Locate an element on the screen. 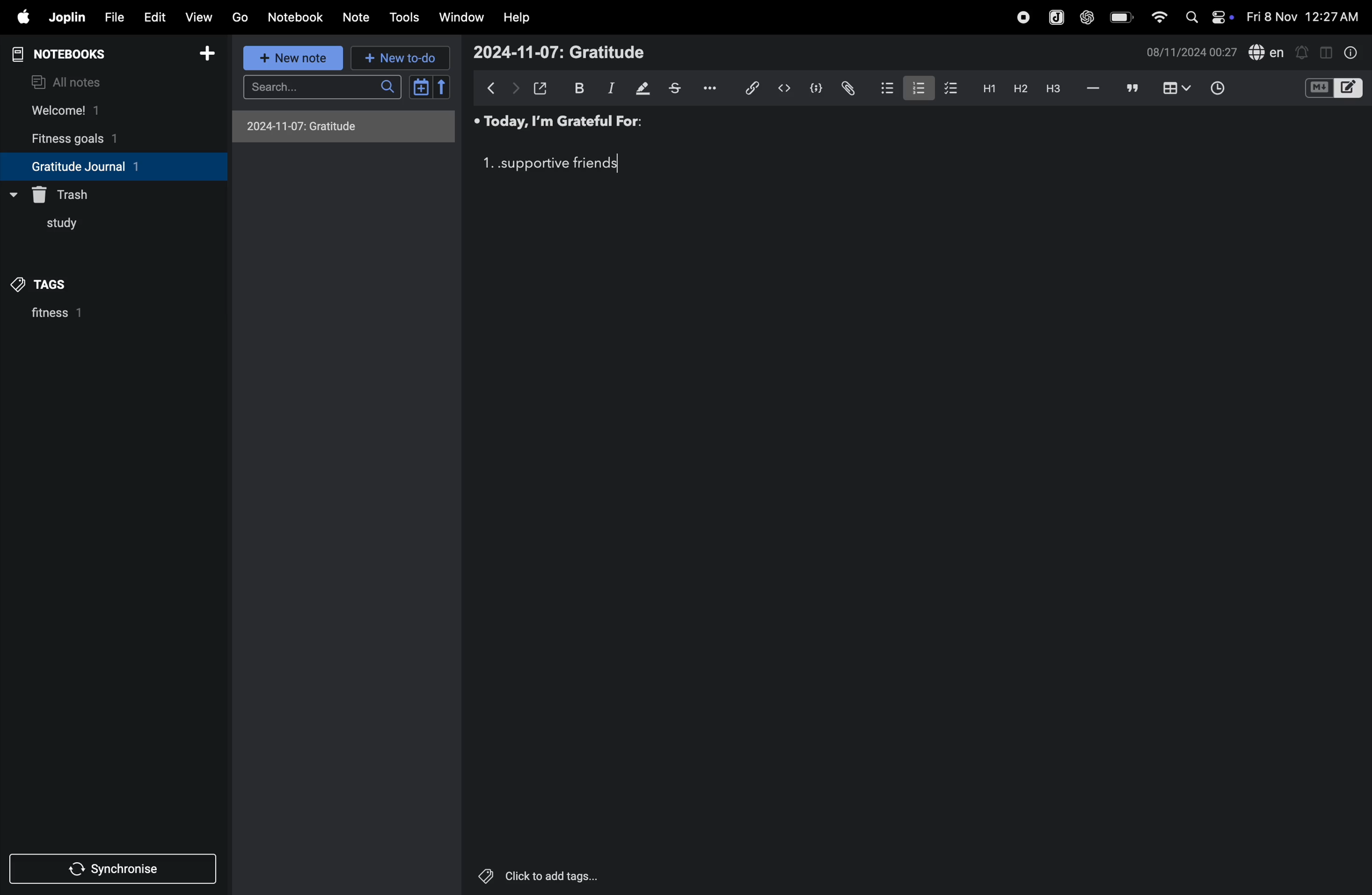  2024-11-07: Gratitude is located at coordinates (558, 52).